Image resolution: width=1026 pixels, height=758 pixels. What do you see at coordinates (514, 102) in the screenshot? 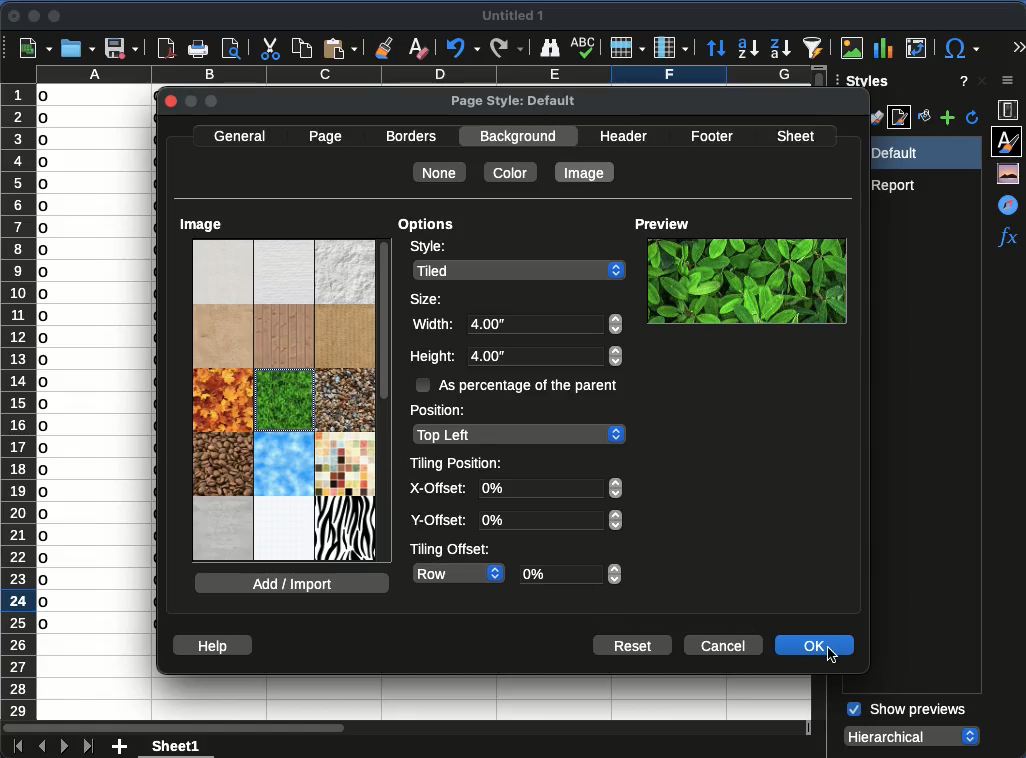
I see `page style default` at bounding box center [514, 102].